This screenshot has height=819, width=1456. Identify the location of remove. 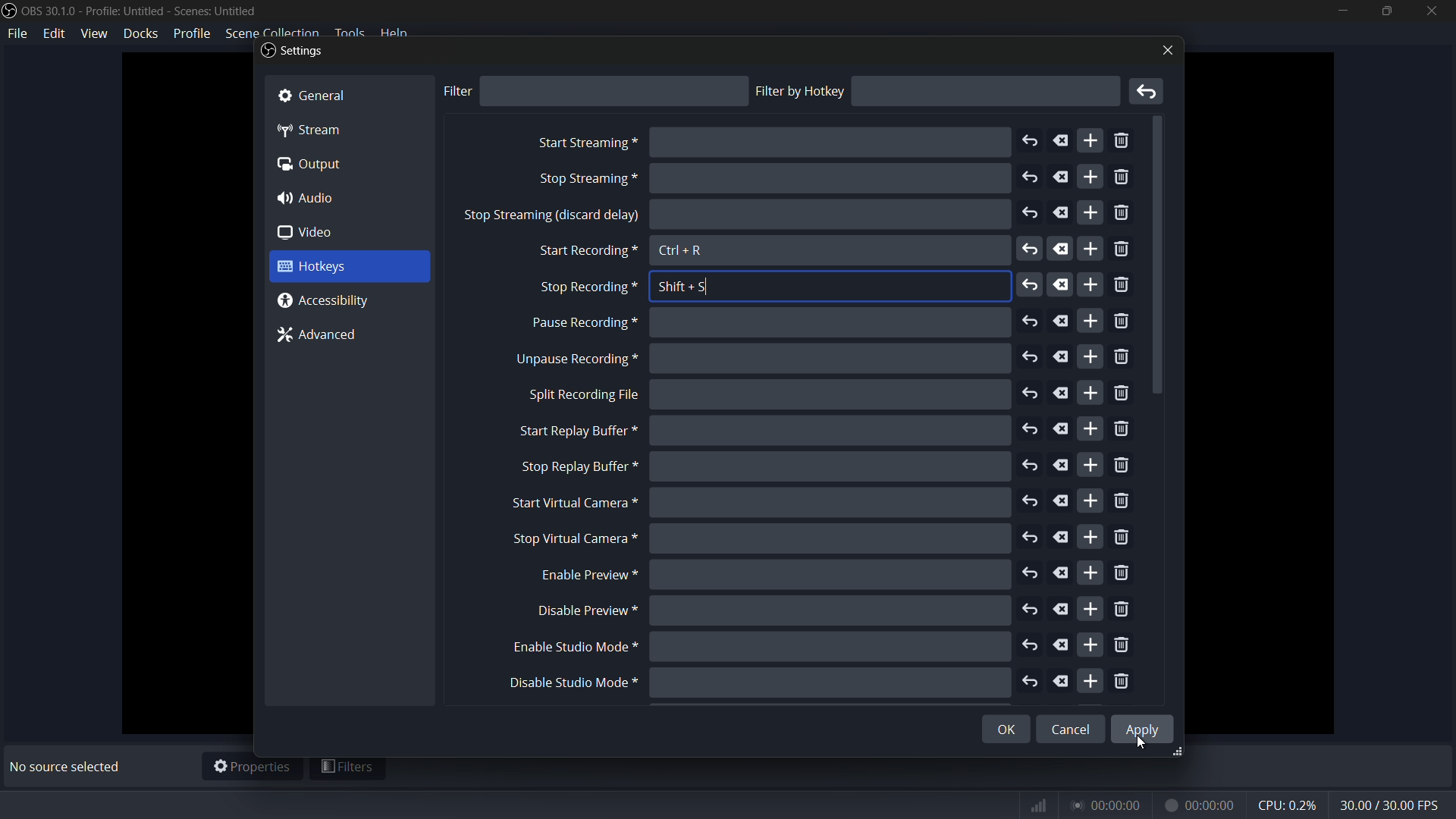
(1123, 214).